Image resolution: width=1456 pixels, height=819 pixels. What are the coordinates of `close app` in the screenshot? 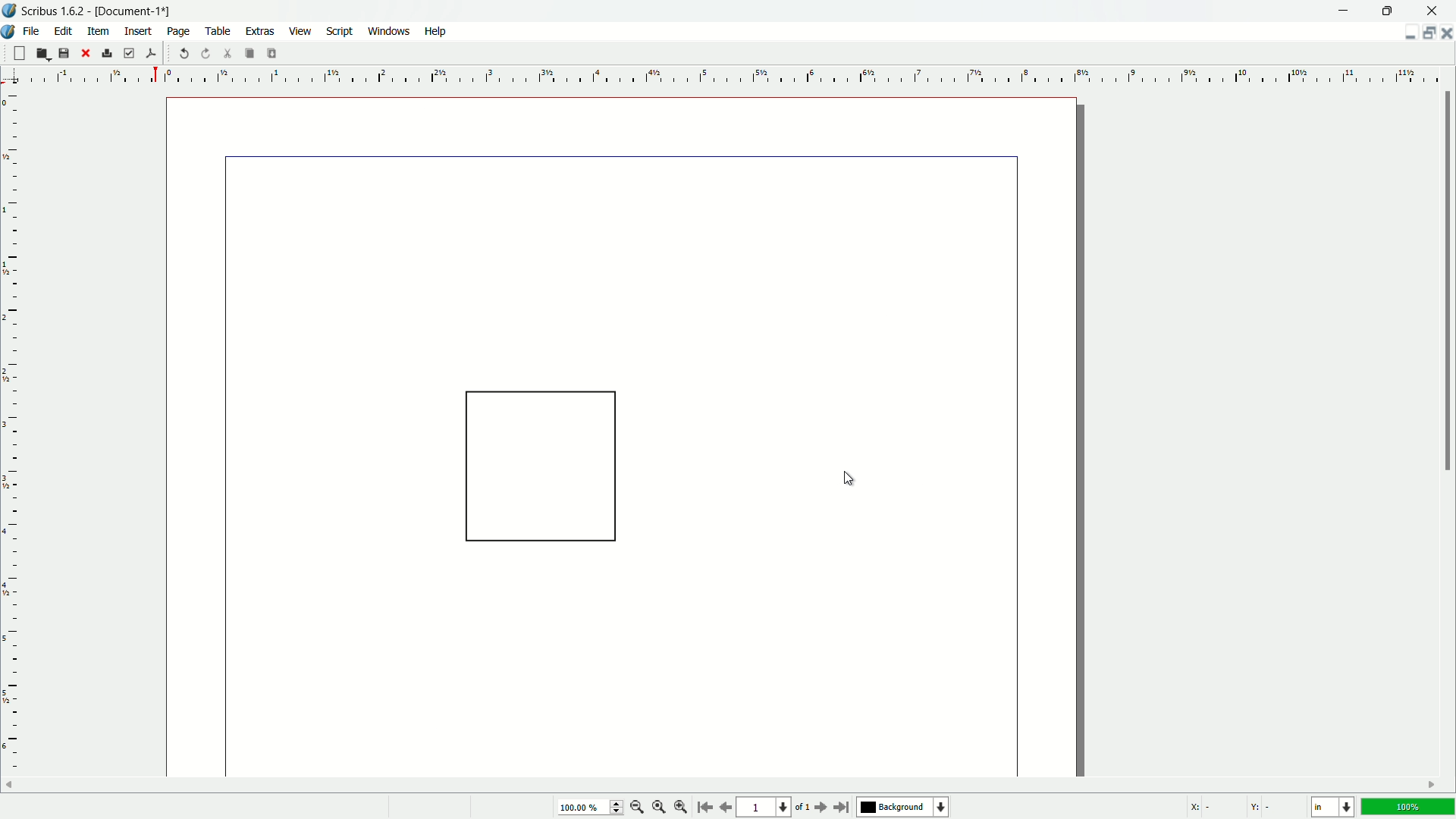 It's located at (1432, 11).